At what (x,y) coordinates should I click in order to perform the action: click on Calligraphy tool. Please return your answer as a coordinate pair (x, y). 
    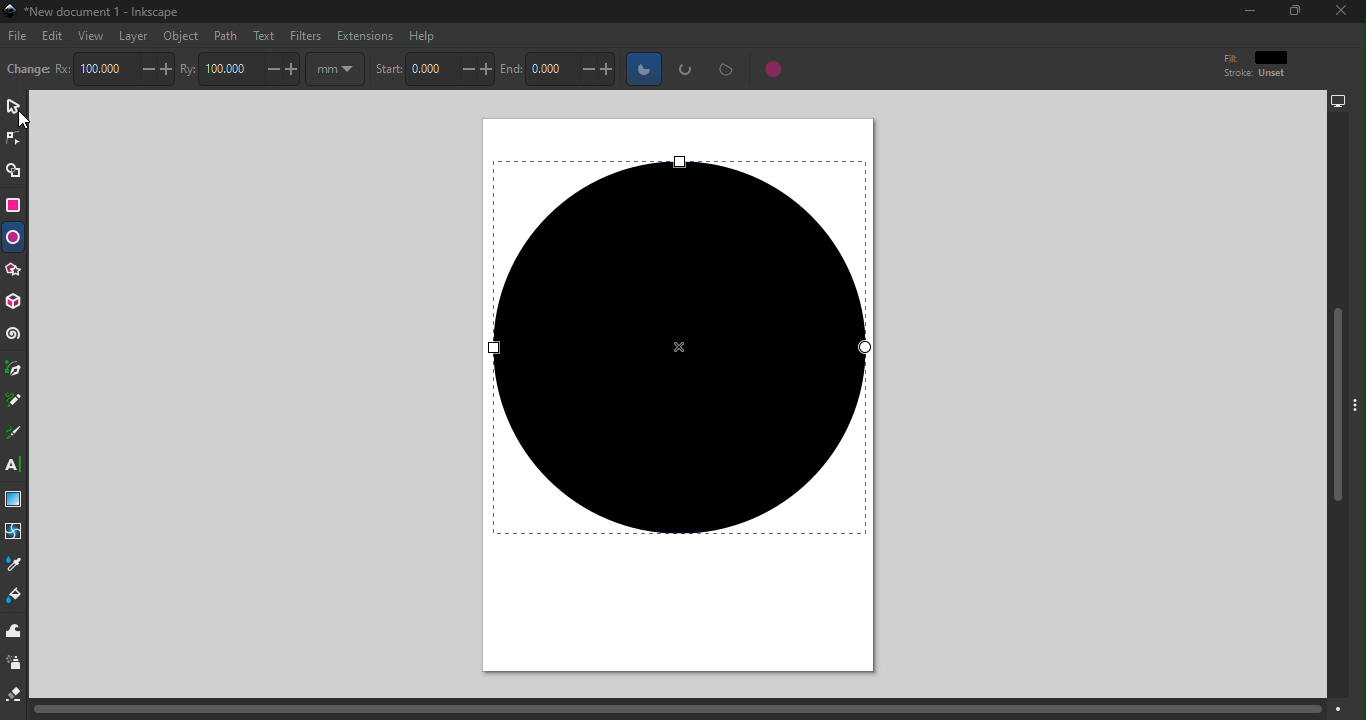
    Looking at the image, I should click on (13, 432).